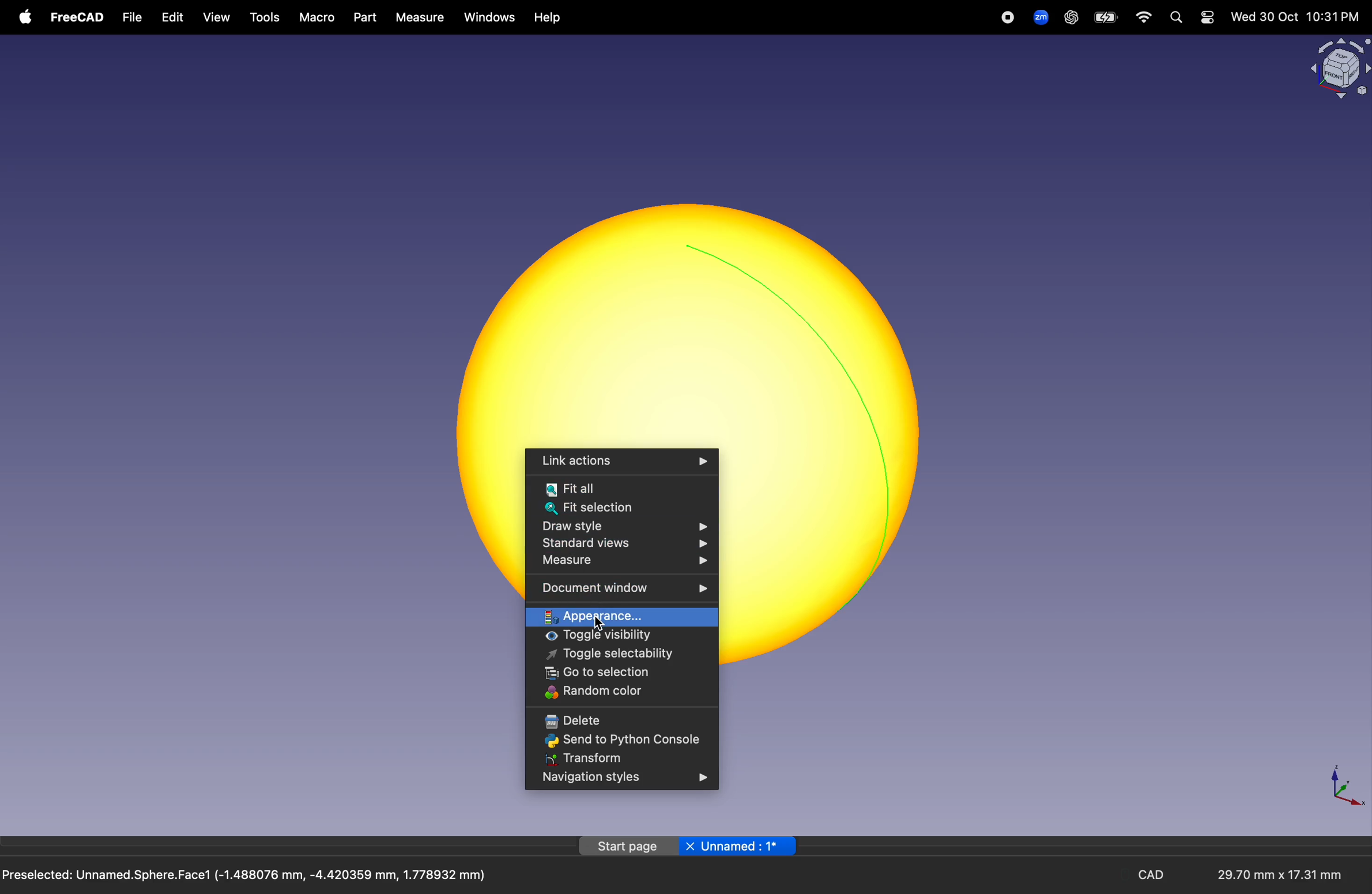  I want to click on toogle selectability, so click(624, 655).